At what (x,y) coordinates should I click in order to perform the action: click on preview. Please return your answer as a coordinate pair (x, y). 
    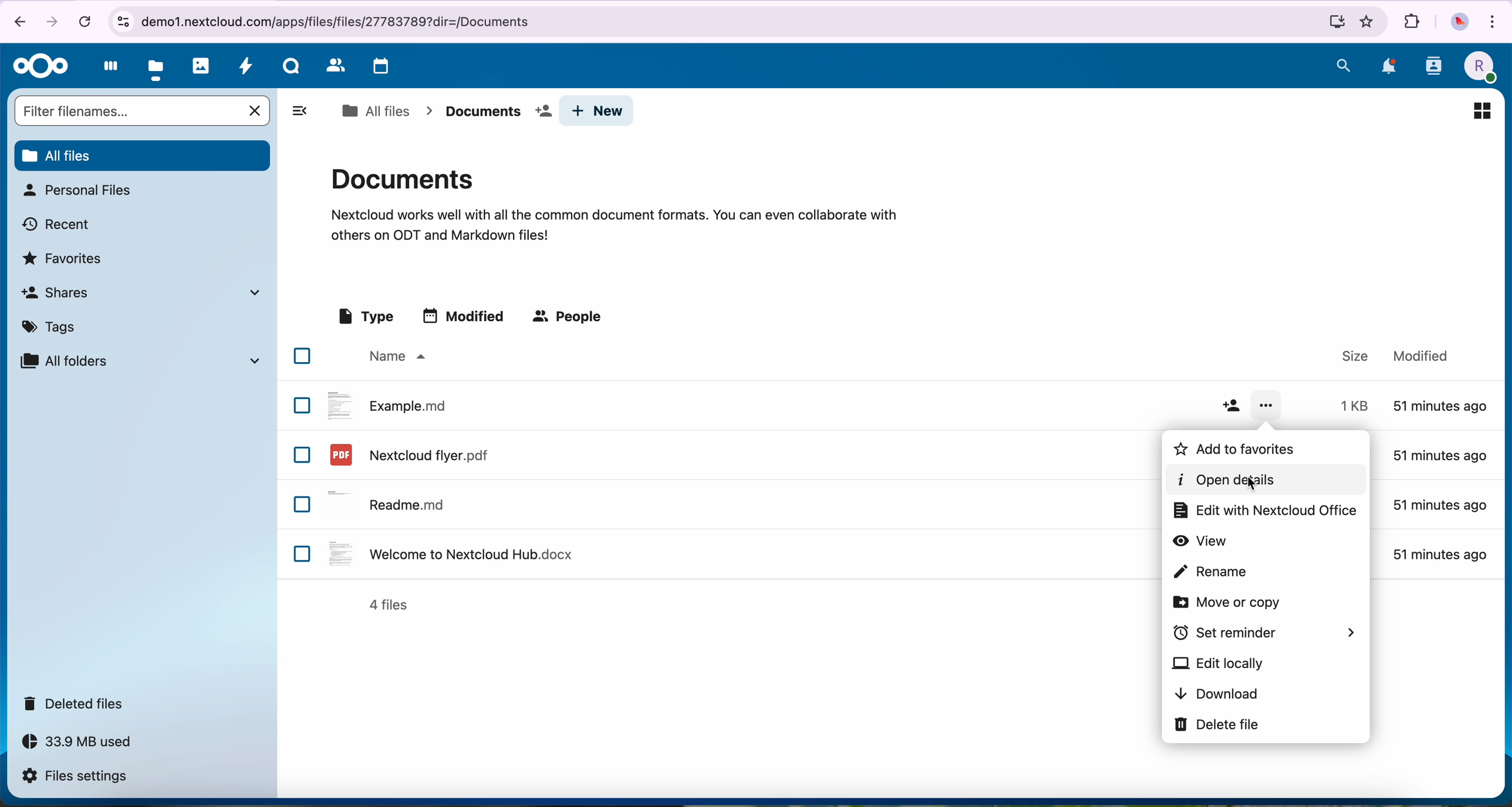
    Looking at the image, I should click on (1481, 109).